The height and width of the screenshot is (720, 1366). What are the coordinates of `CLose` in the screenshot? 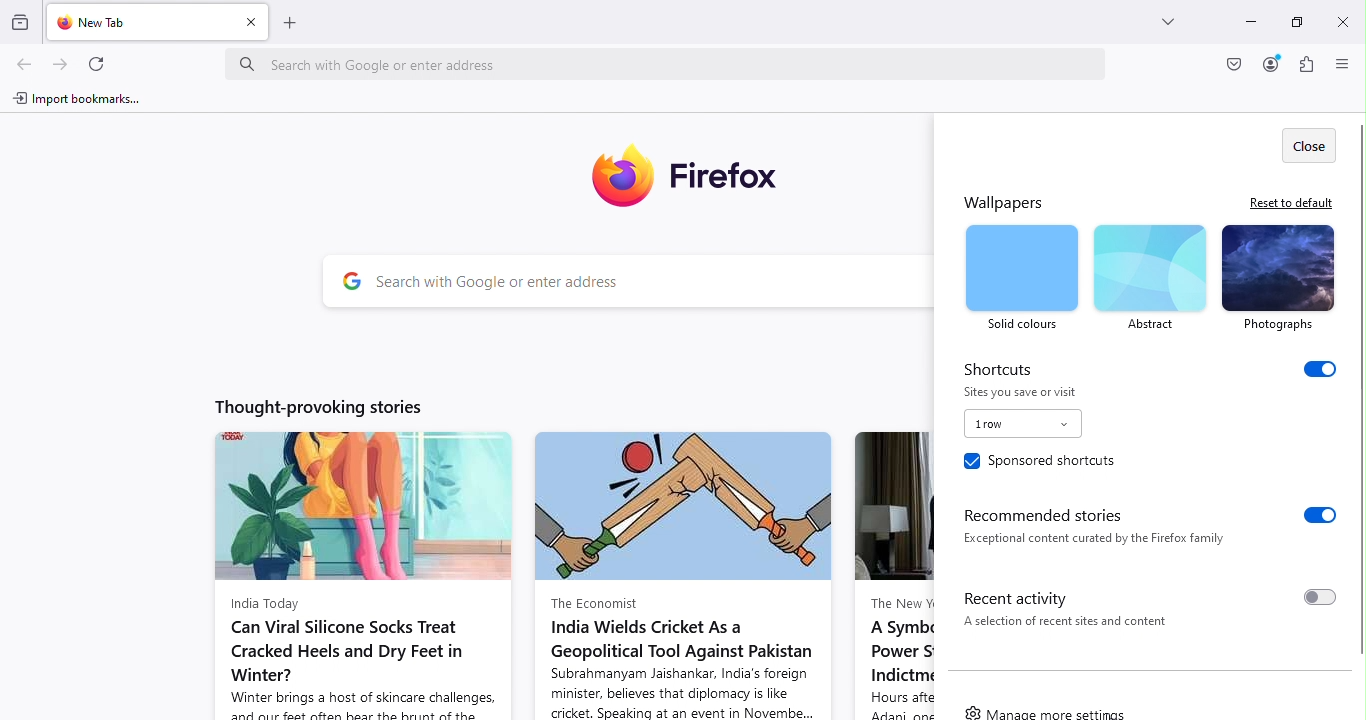 It's located at (1305, 144).